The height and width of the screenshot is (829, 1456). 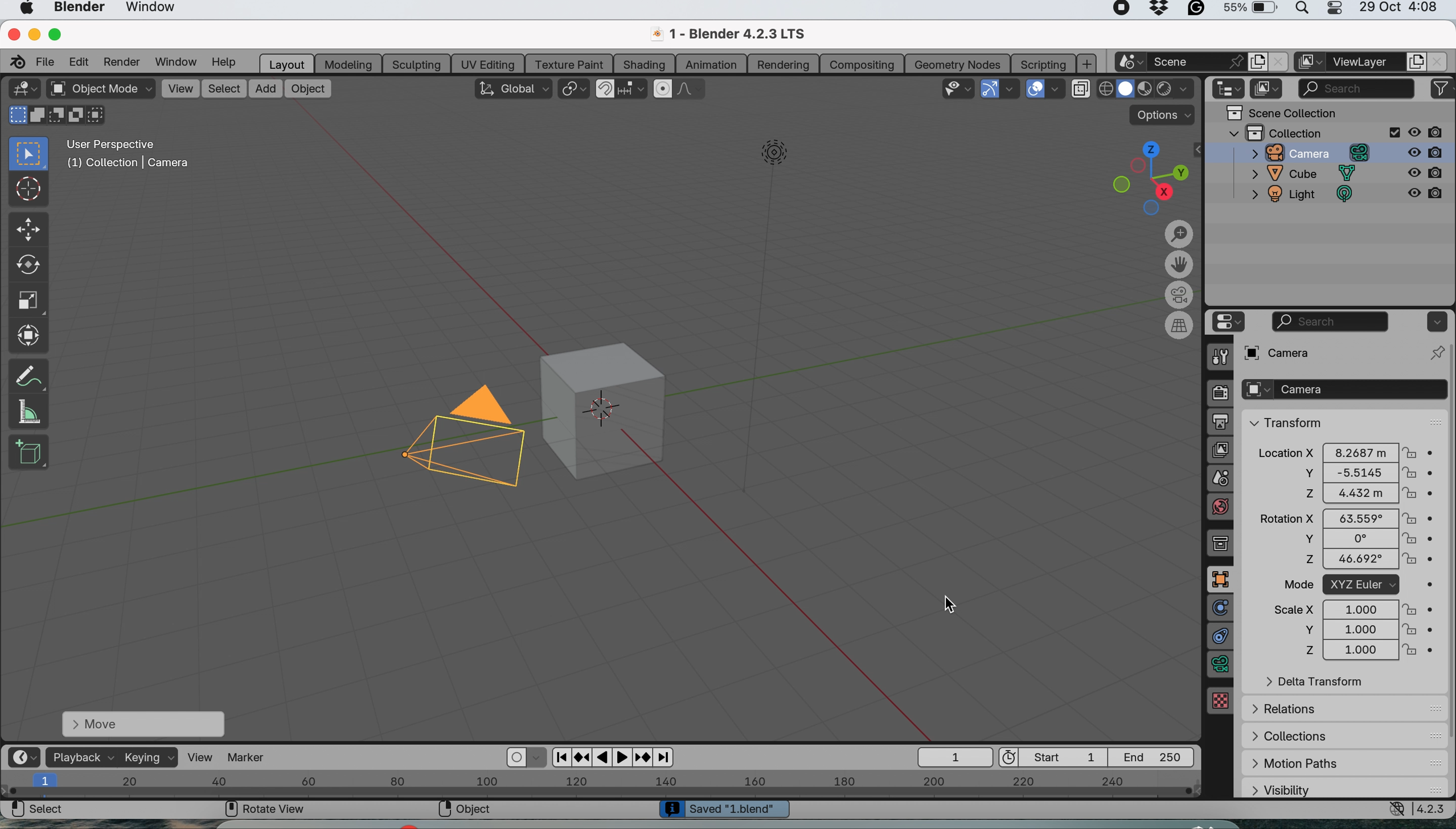 What do you see at coordinates (1080, 91) in the screenshot?
I see `toggle x ray` at bounding box center [1080, 91].